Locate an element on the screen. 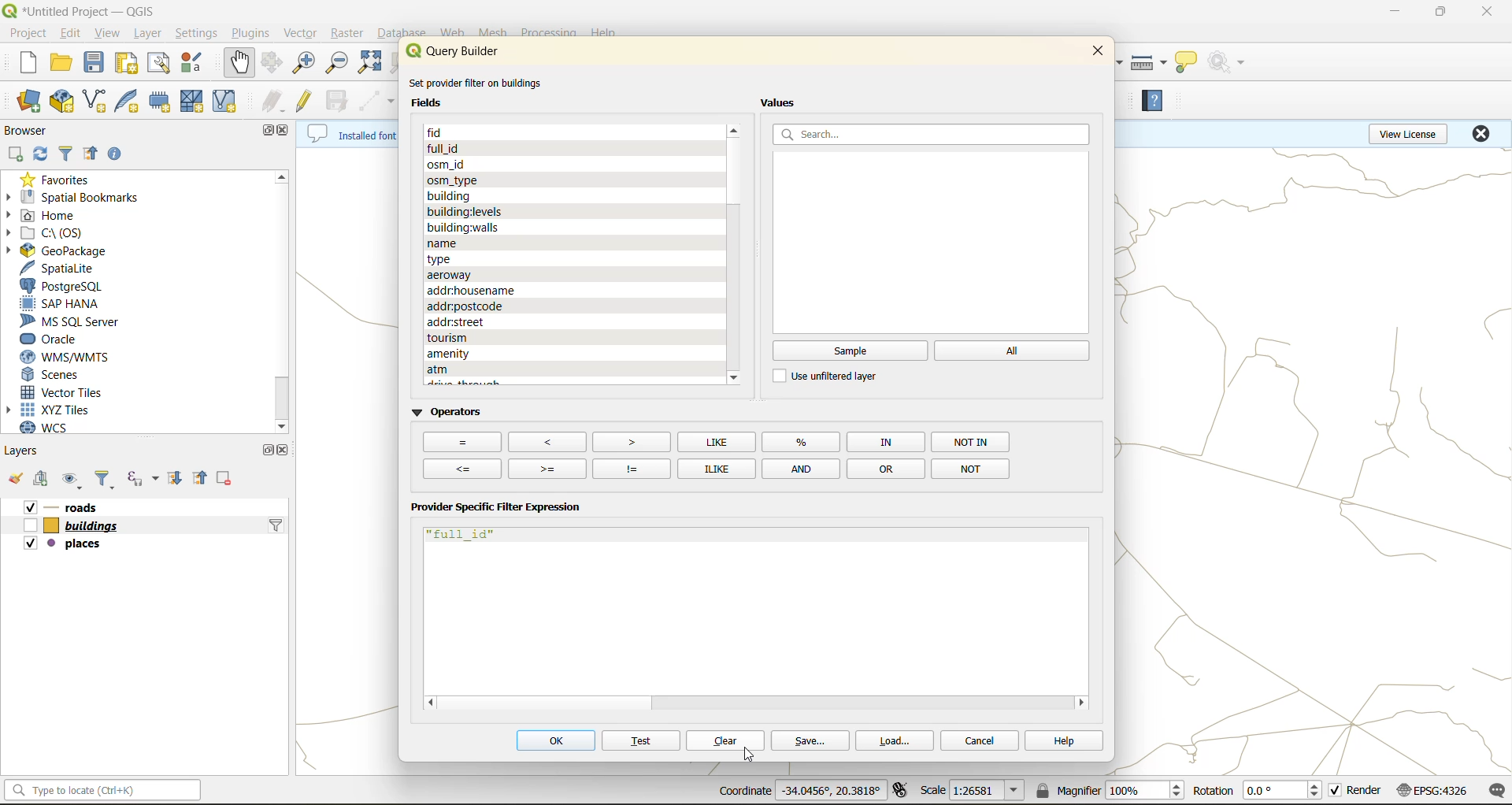 The width and height of the screenshot is (1512, 805). layer is located at coordinates (146, 35).